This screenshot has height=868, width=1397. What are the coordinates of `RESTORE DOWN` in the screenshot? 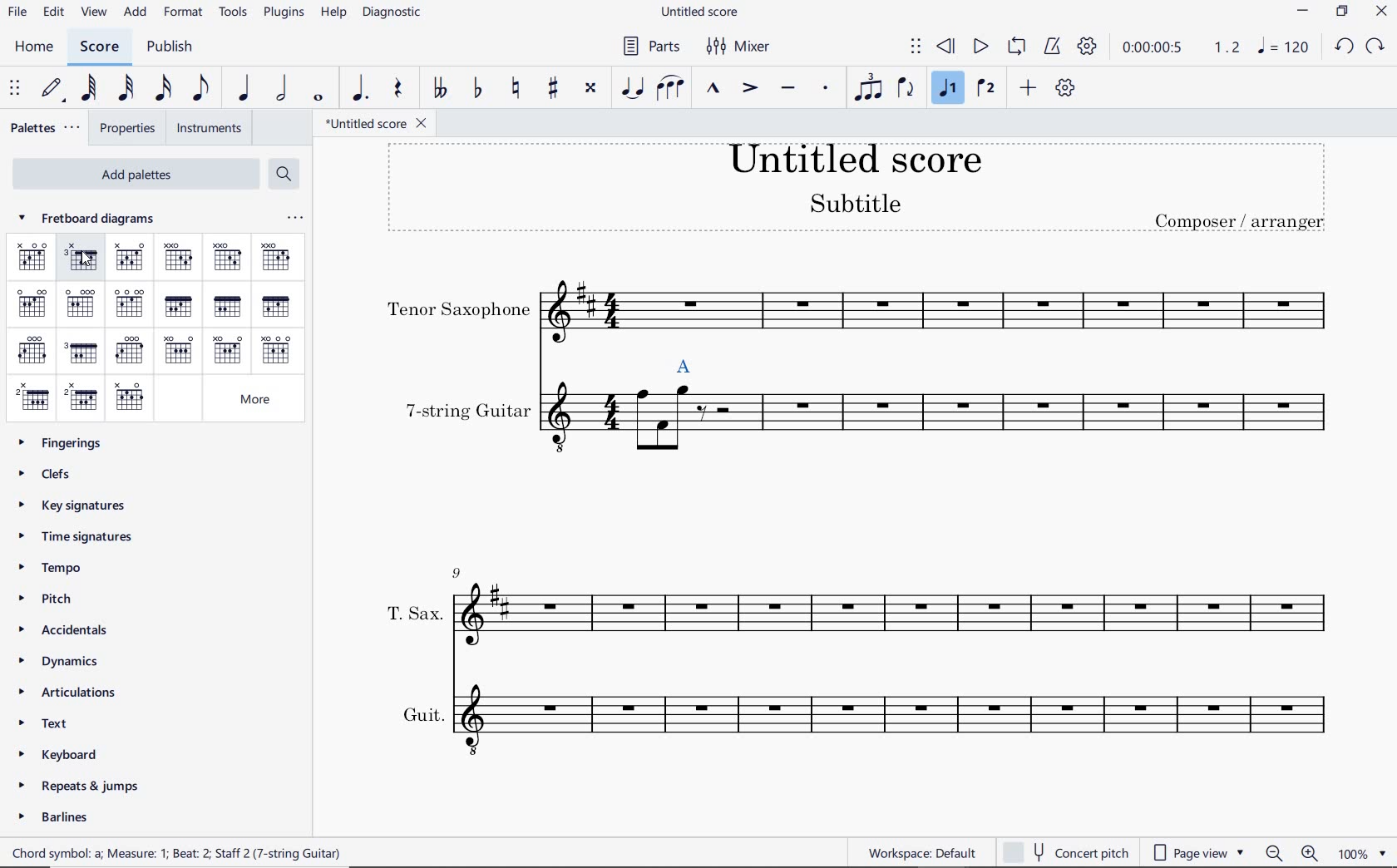 It's located at (1341, 13).